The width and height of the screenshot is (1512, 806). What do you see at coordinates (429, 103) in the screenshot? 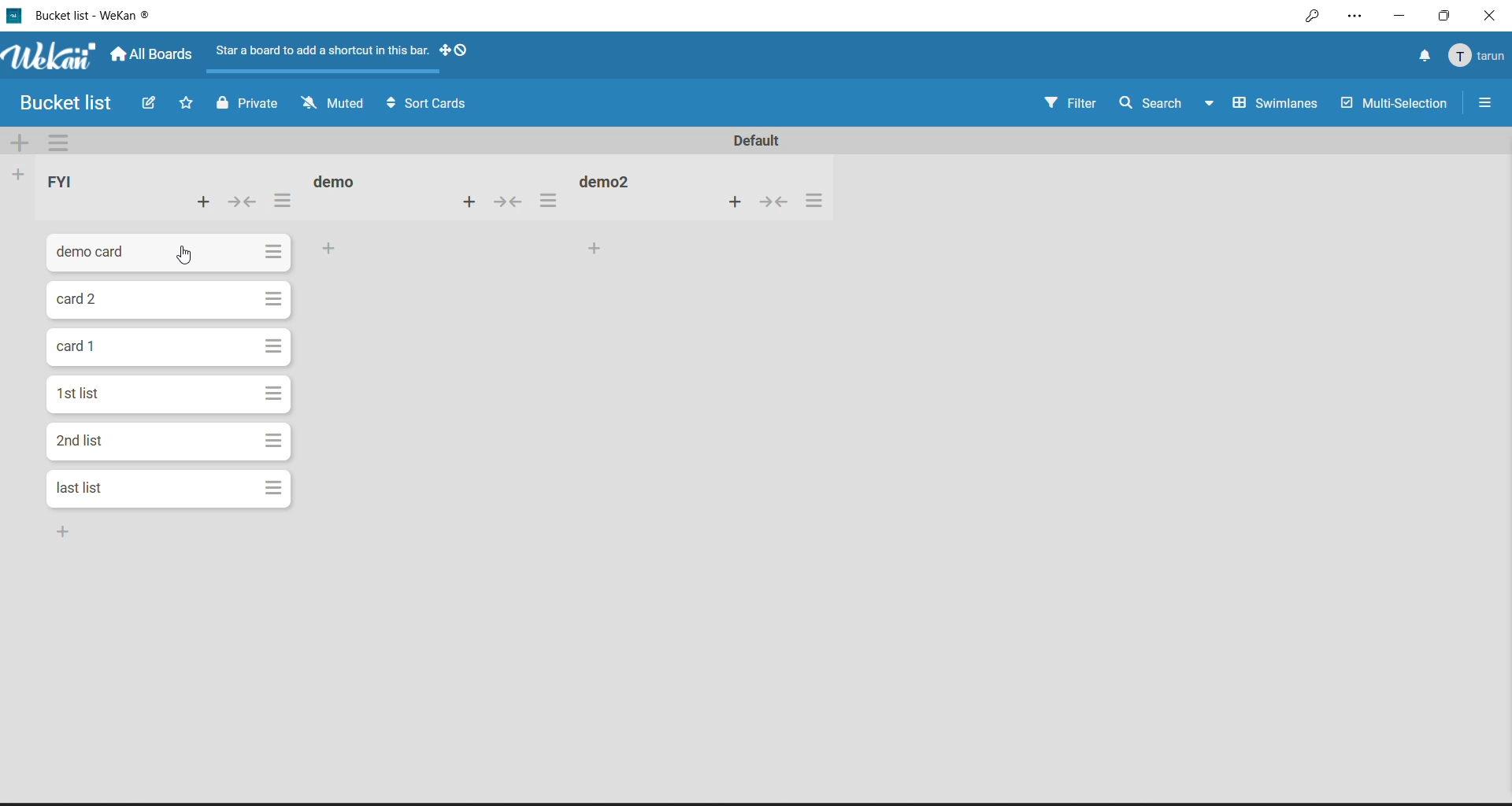
I see `sort cards` at bounding box center [429, 103].